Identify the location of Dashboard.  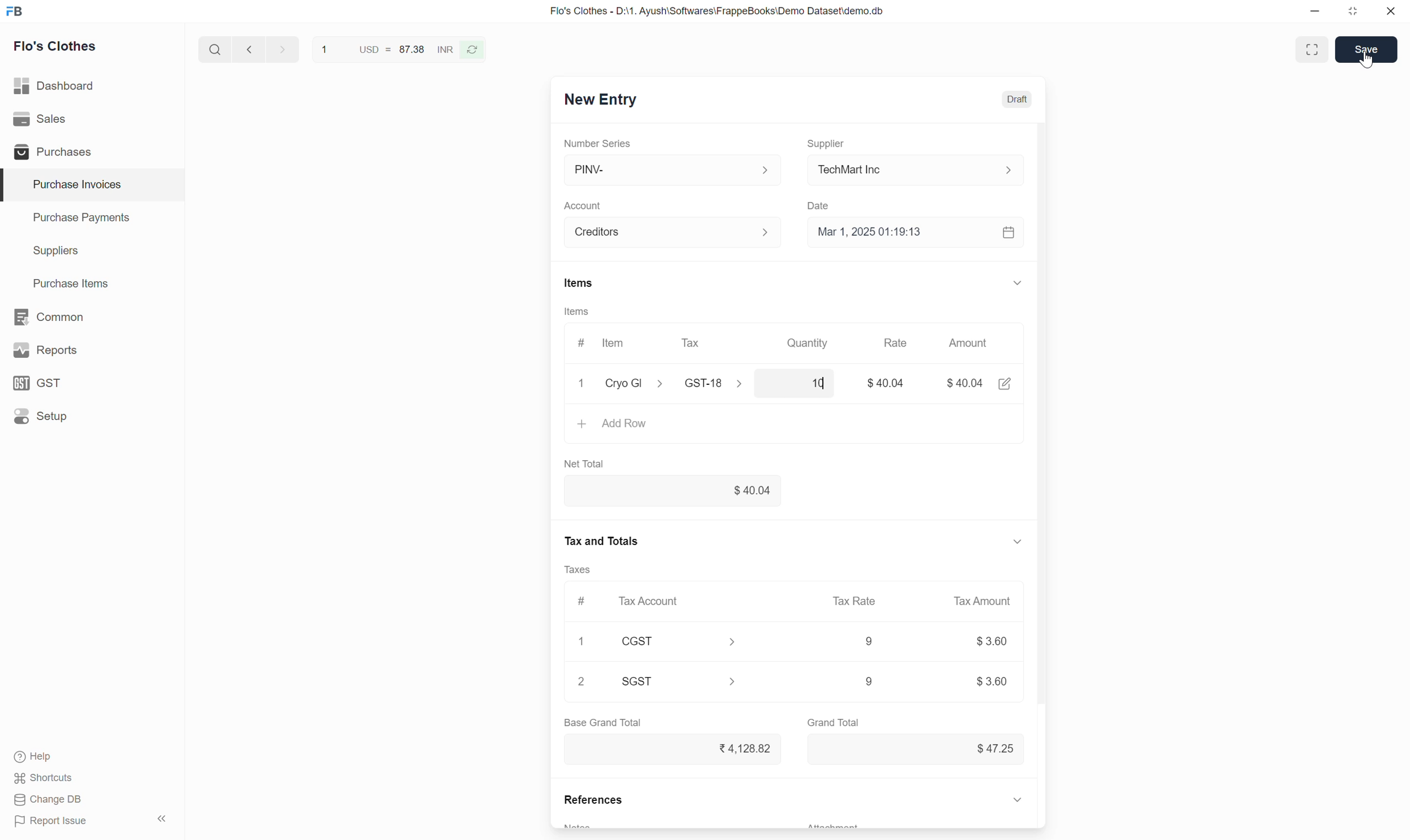
(55, 83).